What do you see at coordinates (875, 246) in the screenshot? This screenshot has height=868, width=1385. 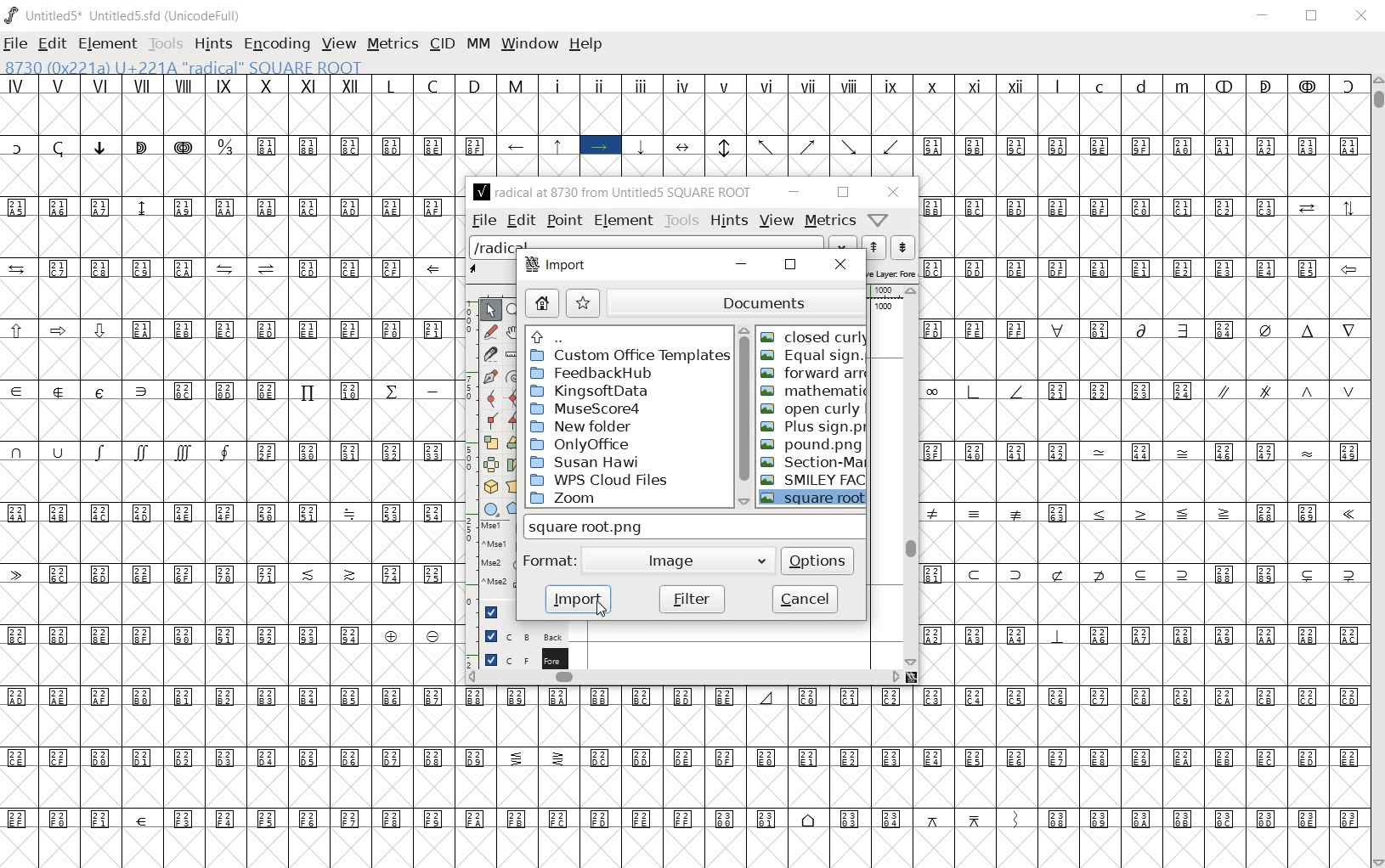 I see `show the next word on the list` at bounding box center [875, 246].